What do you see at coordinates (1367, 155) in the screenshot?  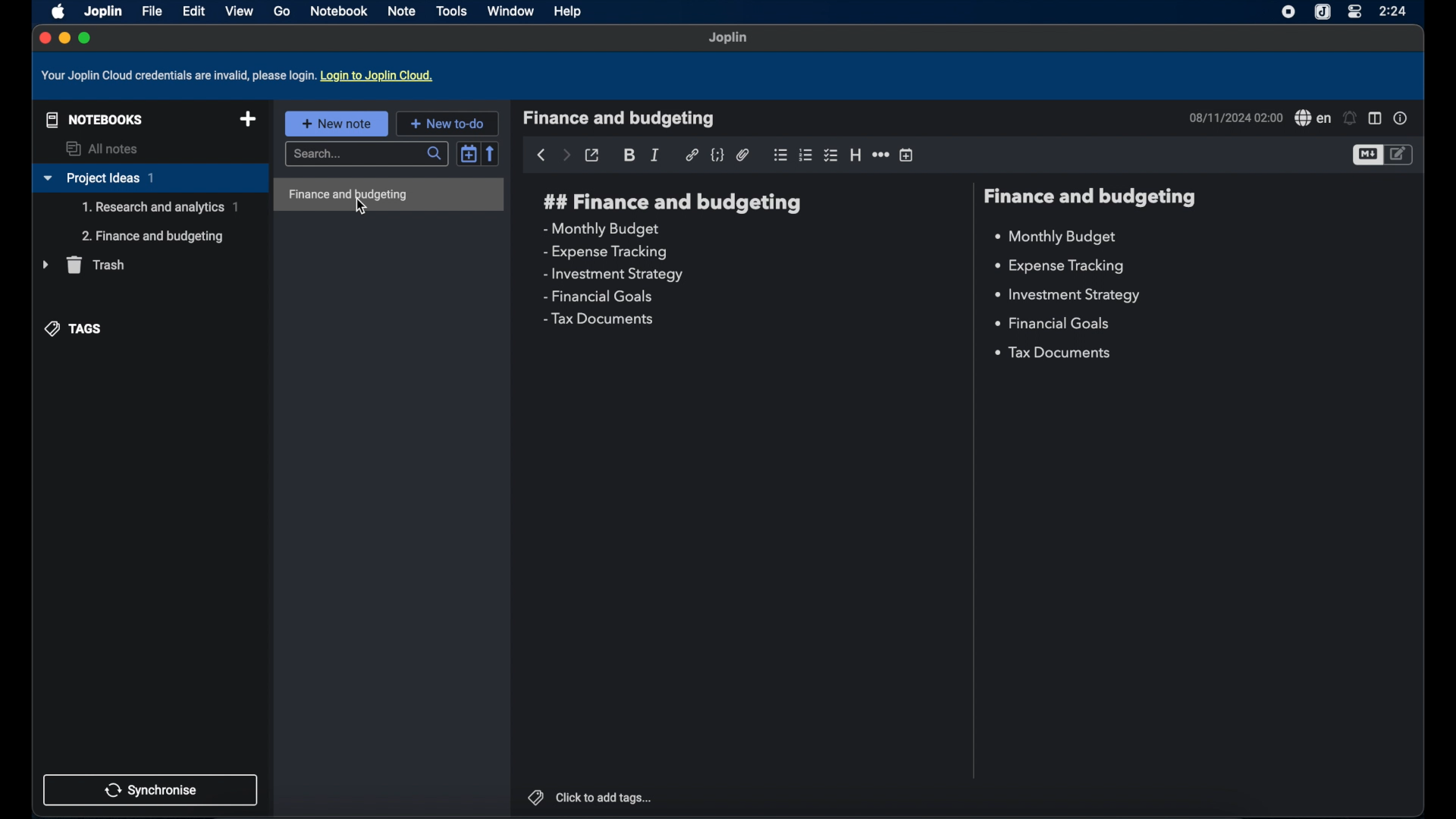 I see `toggle editor` at bounding box center [1367, 155].